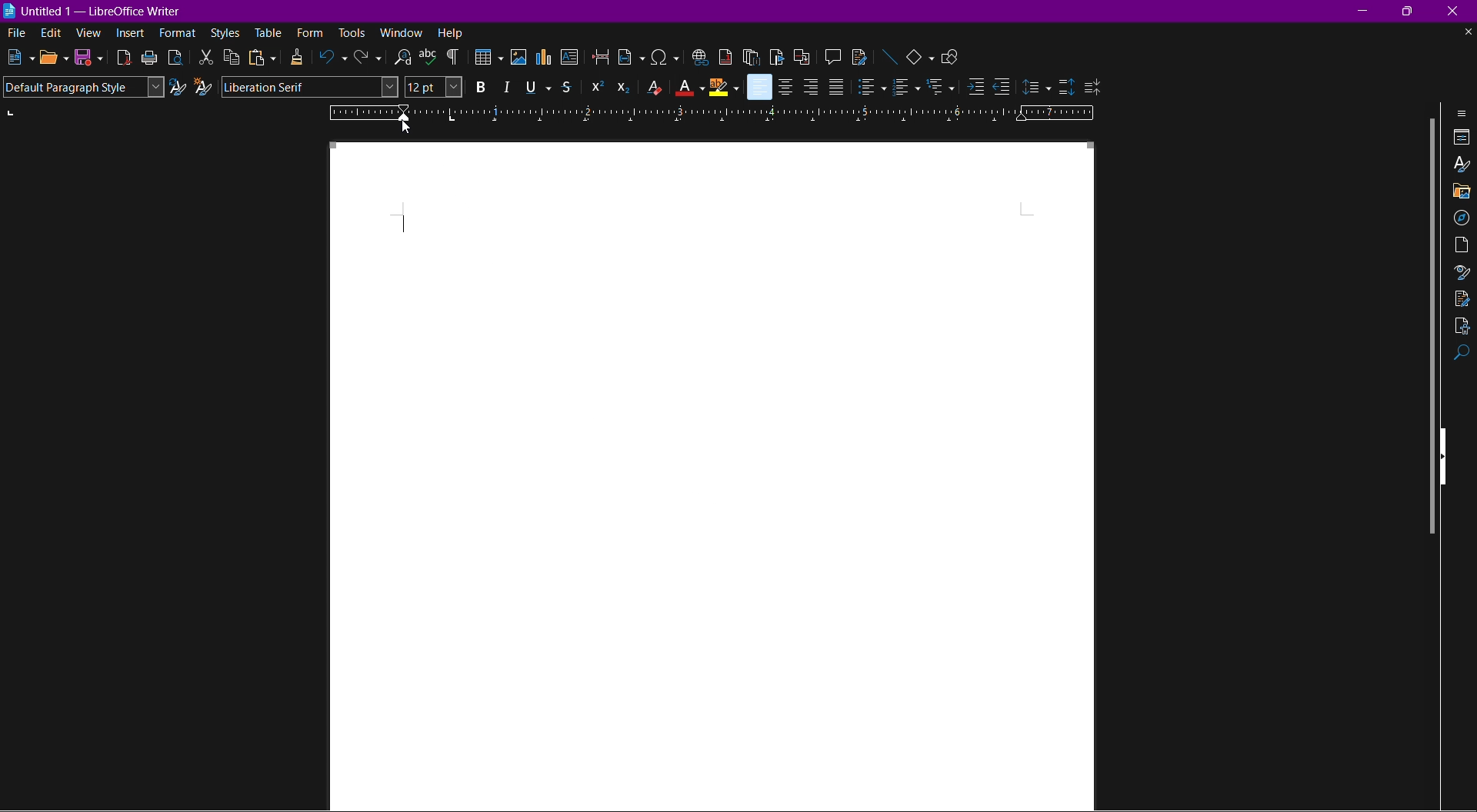  What do you see at coordinates (972, 88) in the screenshot?
I see `Increase Indent` at bounding box center [972, 88].